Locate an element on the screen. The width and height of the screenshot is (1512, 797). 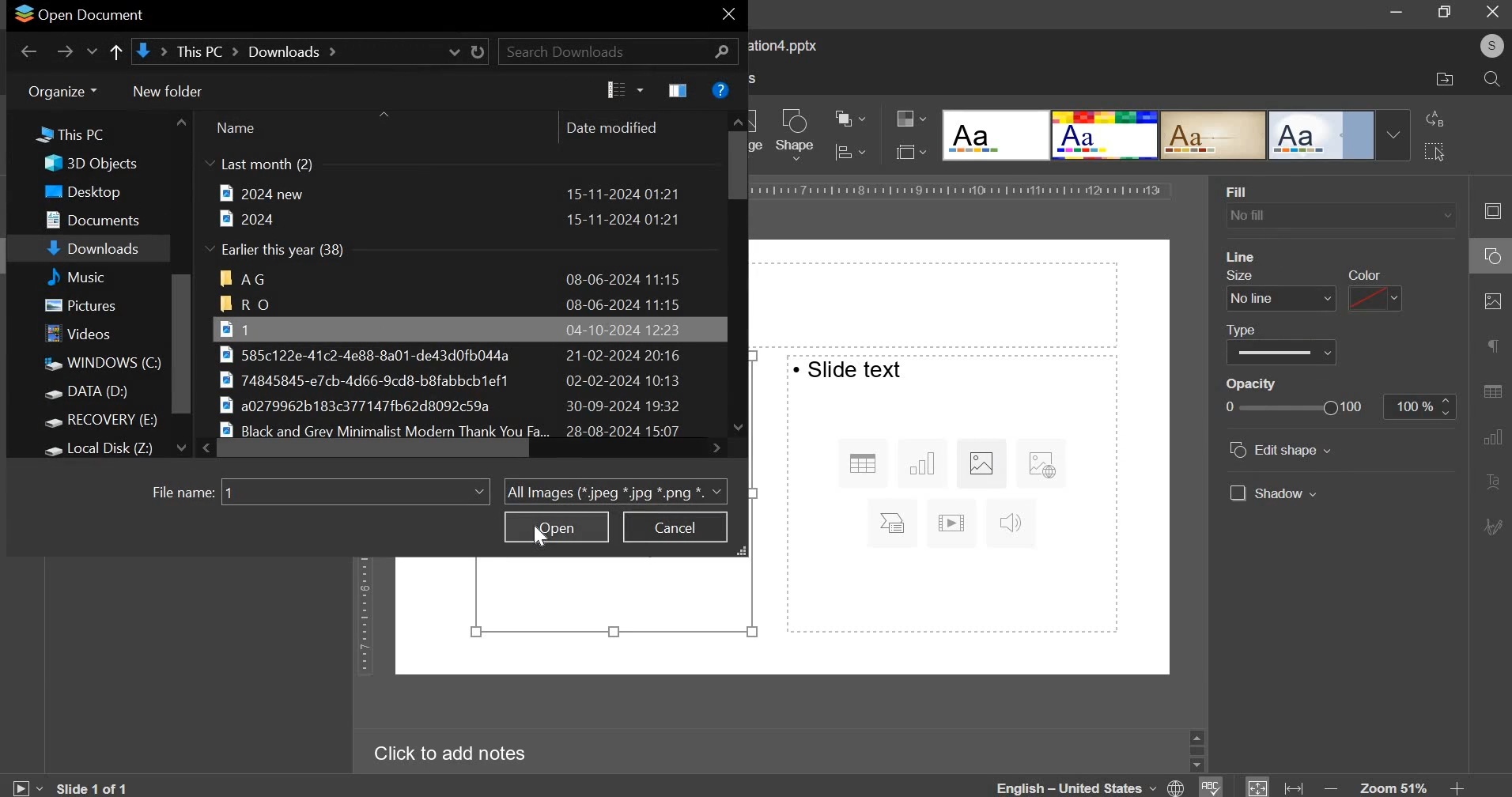
design is located at coordinates (1215, 136).